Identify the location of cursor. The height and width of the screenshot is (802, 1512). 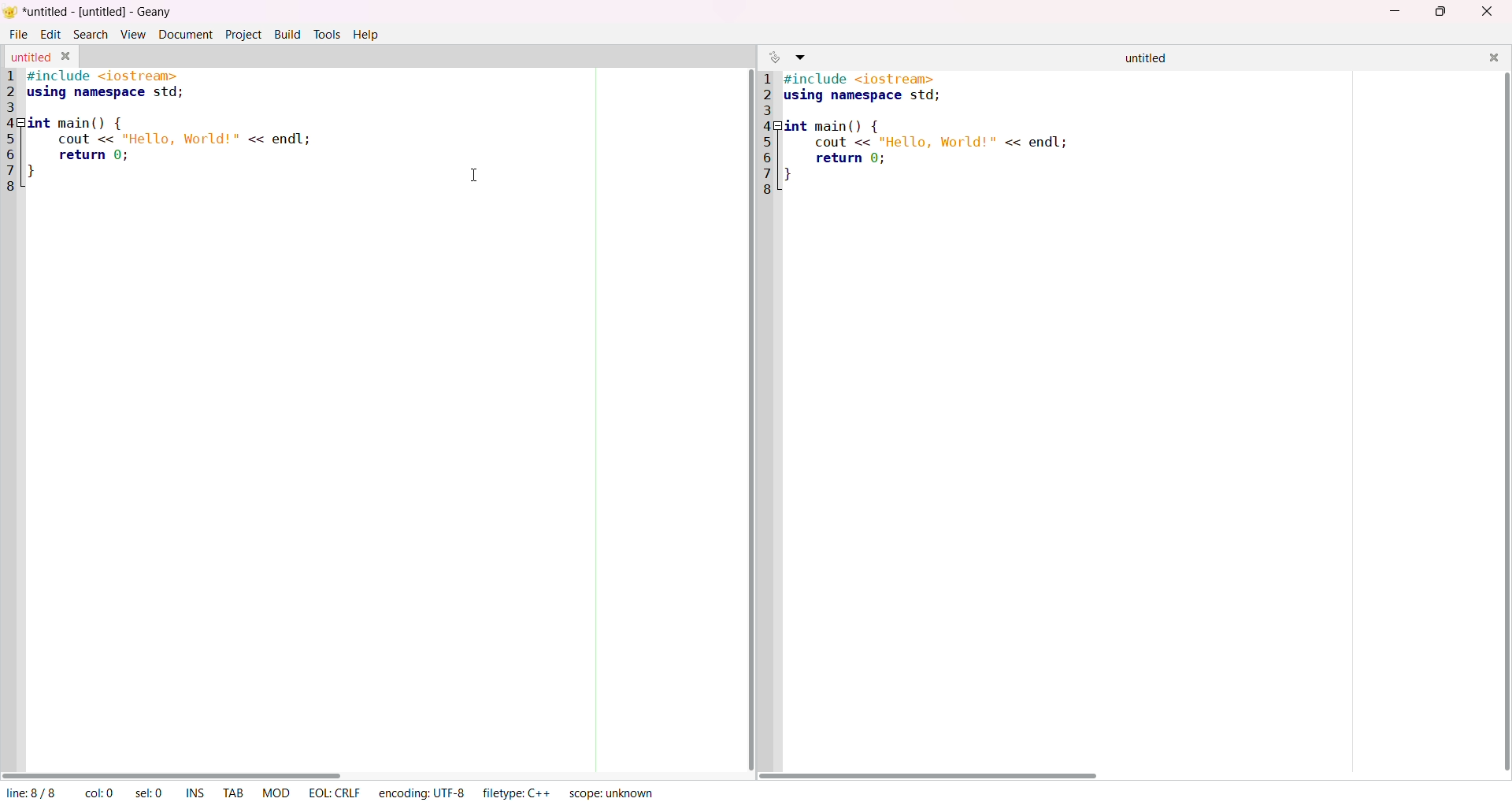
(476, 173).